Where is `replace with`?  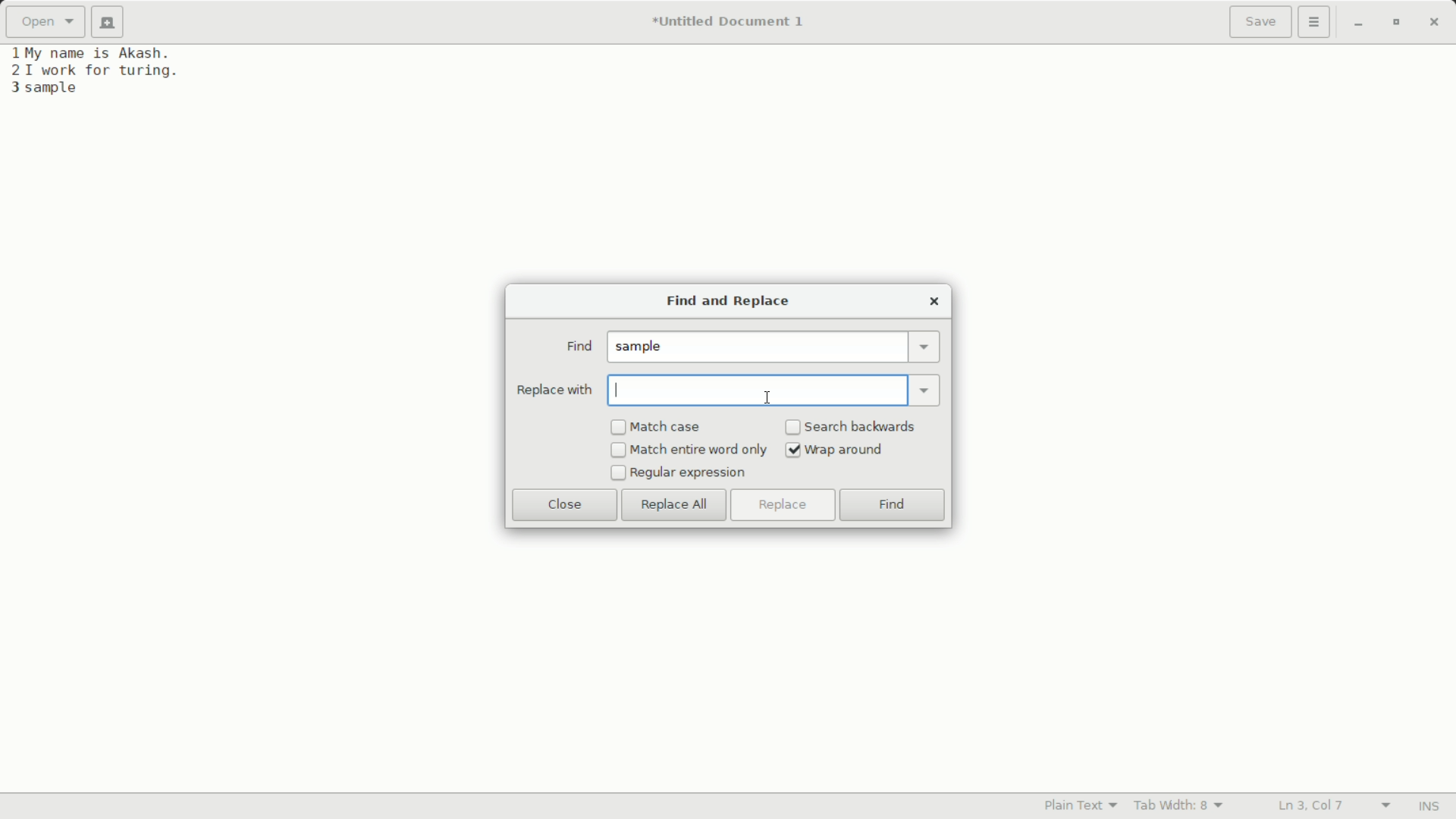
replace with is located at coordinates (554, 390).